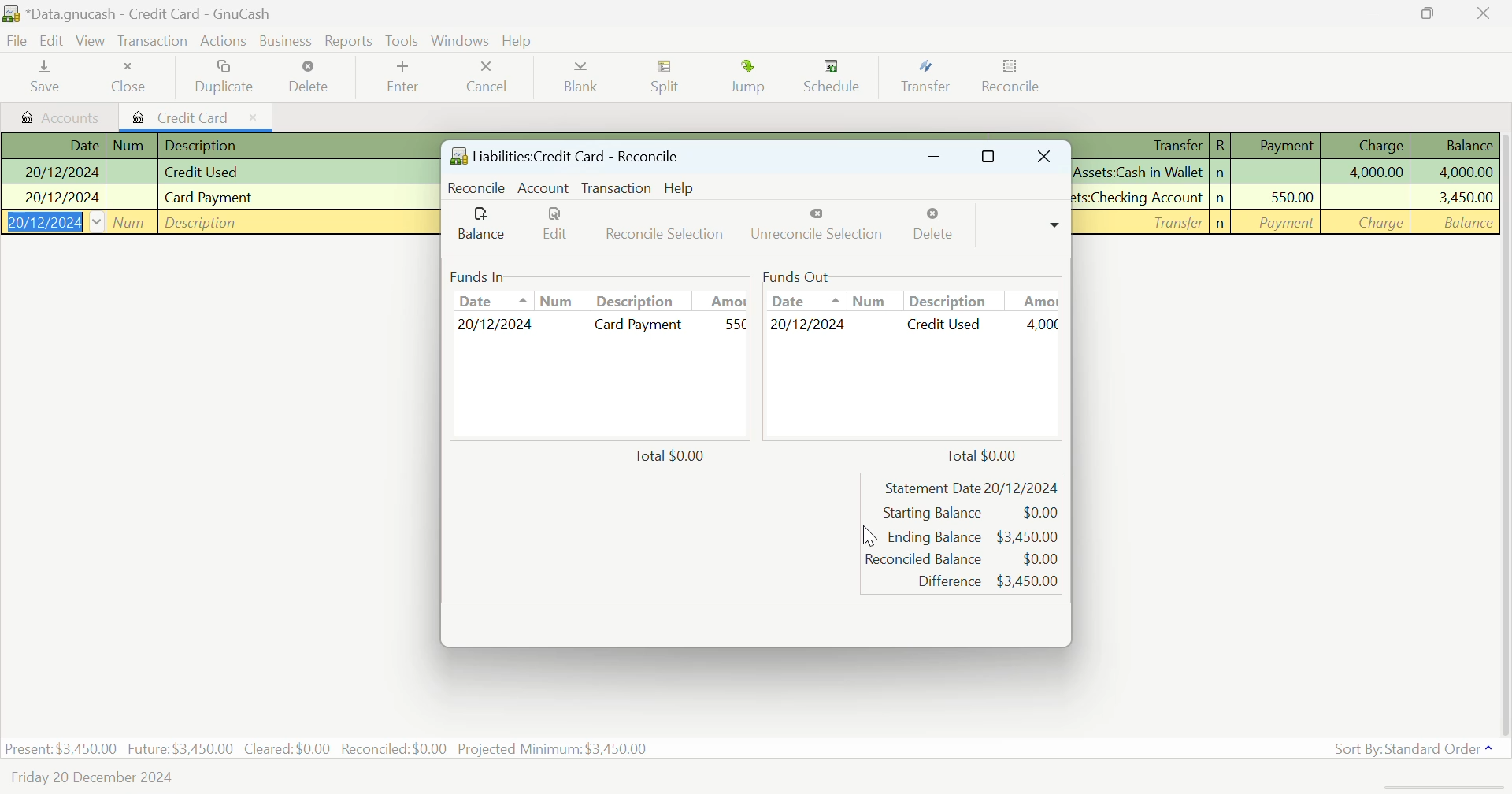 The height and width of the screenshot is (794, 1512). Describe the element at coordinates (50, 42) in the screenshot. I see `Edit` at that location.